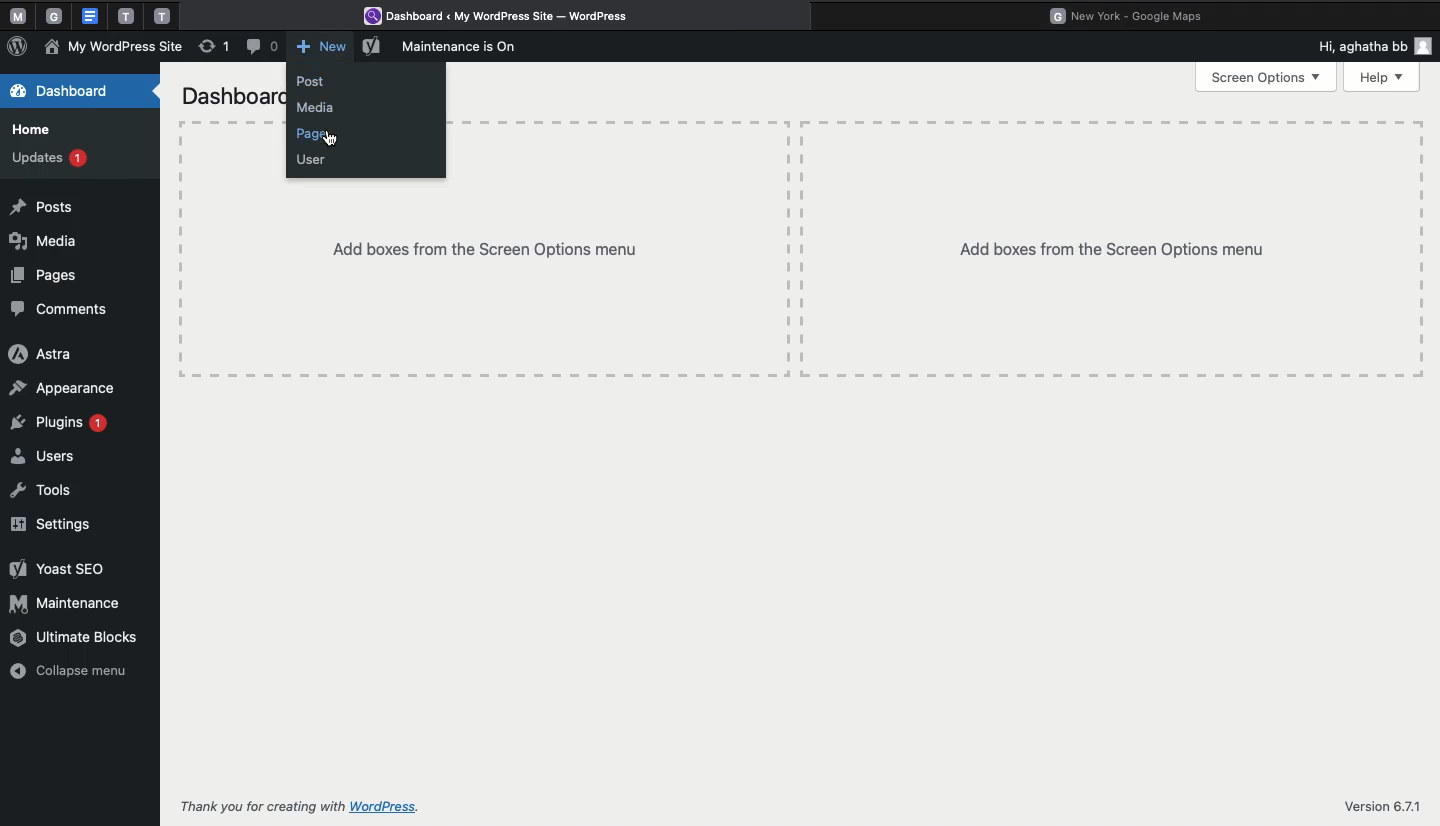  Describe the element at coordinates (49, 159) in the screenshot. I see `Updates` at that location.